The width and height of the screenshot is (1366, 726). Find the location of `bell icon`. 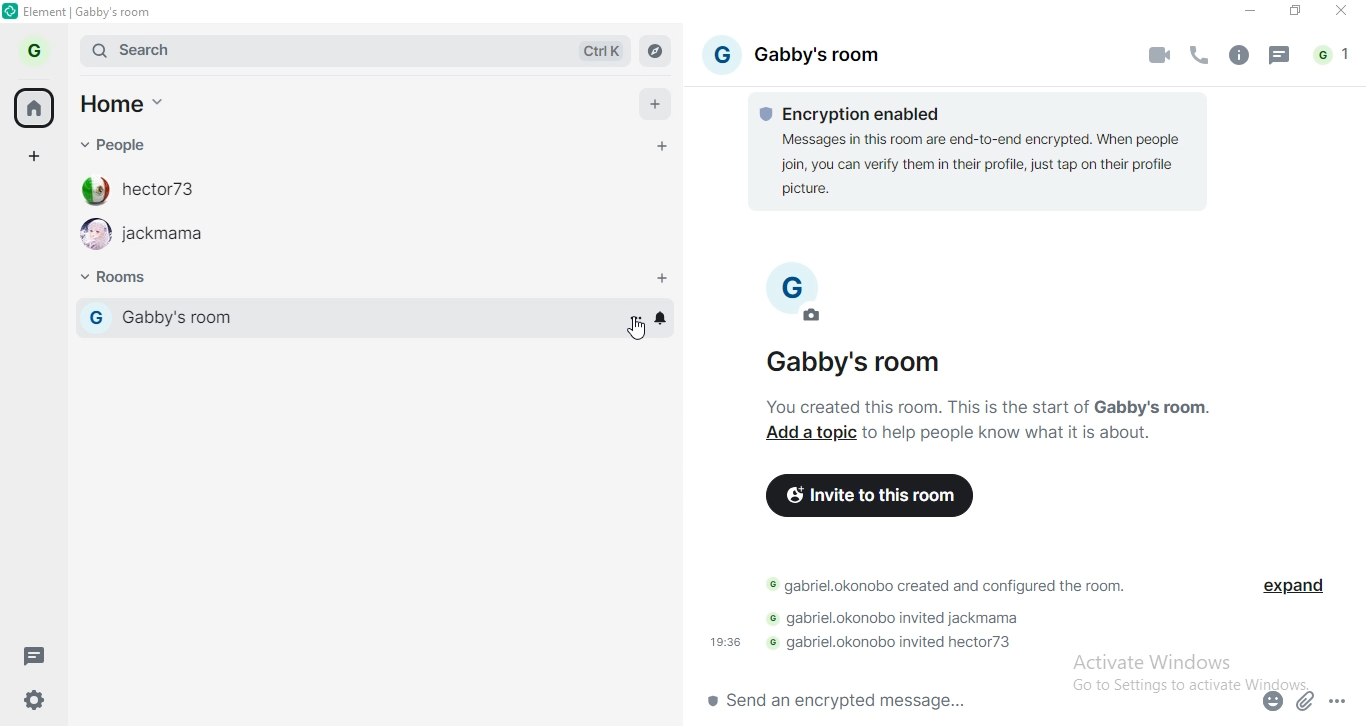

bell icon is located at coordinates (659, 320).